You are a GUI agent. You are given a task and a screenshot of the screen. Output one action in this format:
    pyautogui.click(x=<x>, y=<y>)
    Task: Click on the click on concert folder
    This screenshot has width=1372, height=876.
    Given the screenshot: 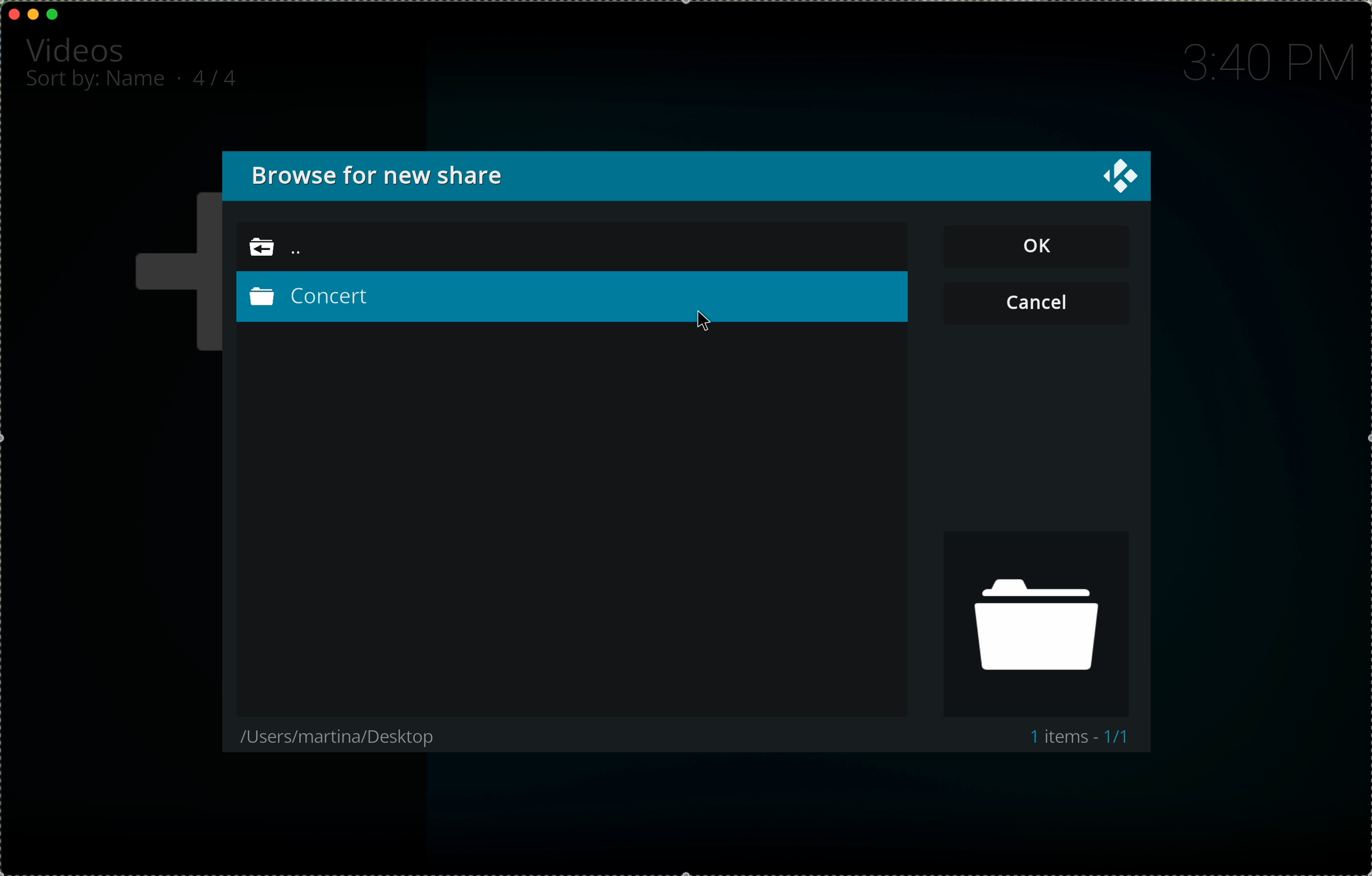 What is the action you would take?
    pyautogui.click(x=573, y=303)
    